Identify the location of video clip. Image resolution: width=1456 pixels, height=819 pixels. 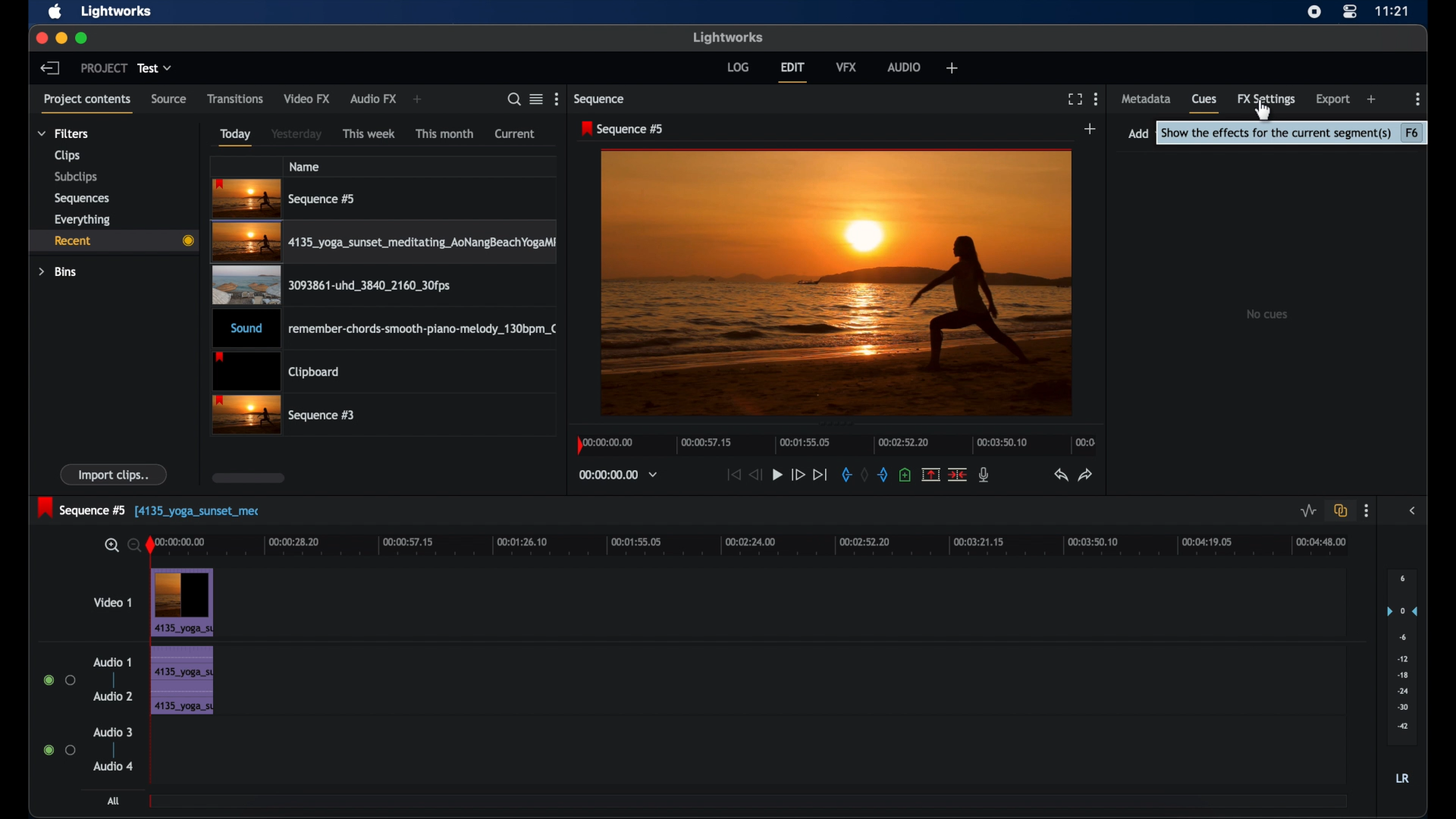
(329, 288).